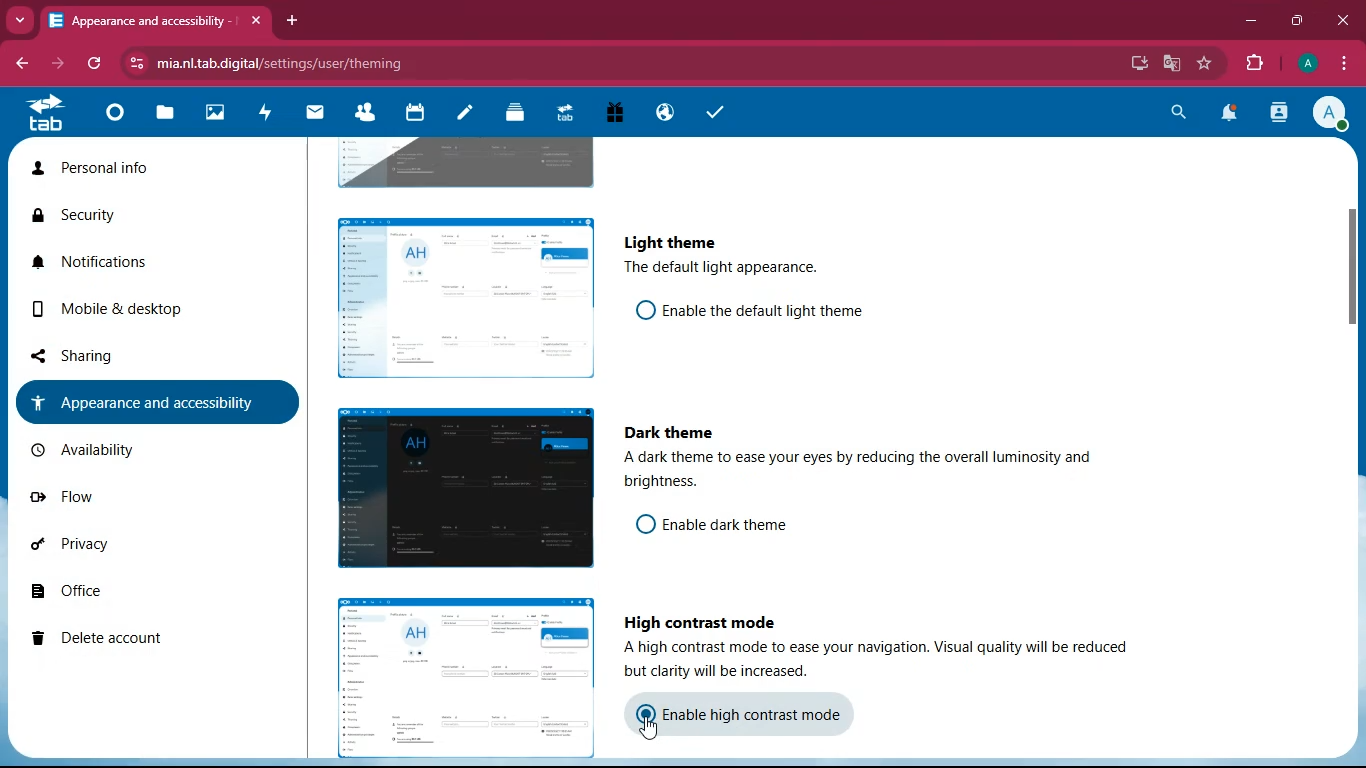 Image resolution: width=1366 pixels, height=768 pixels. Describe the element at coordinates (293, 21) in the screenshot. I see `add tab` at that location.